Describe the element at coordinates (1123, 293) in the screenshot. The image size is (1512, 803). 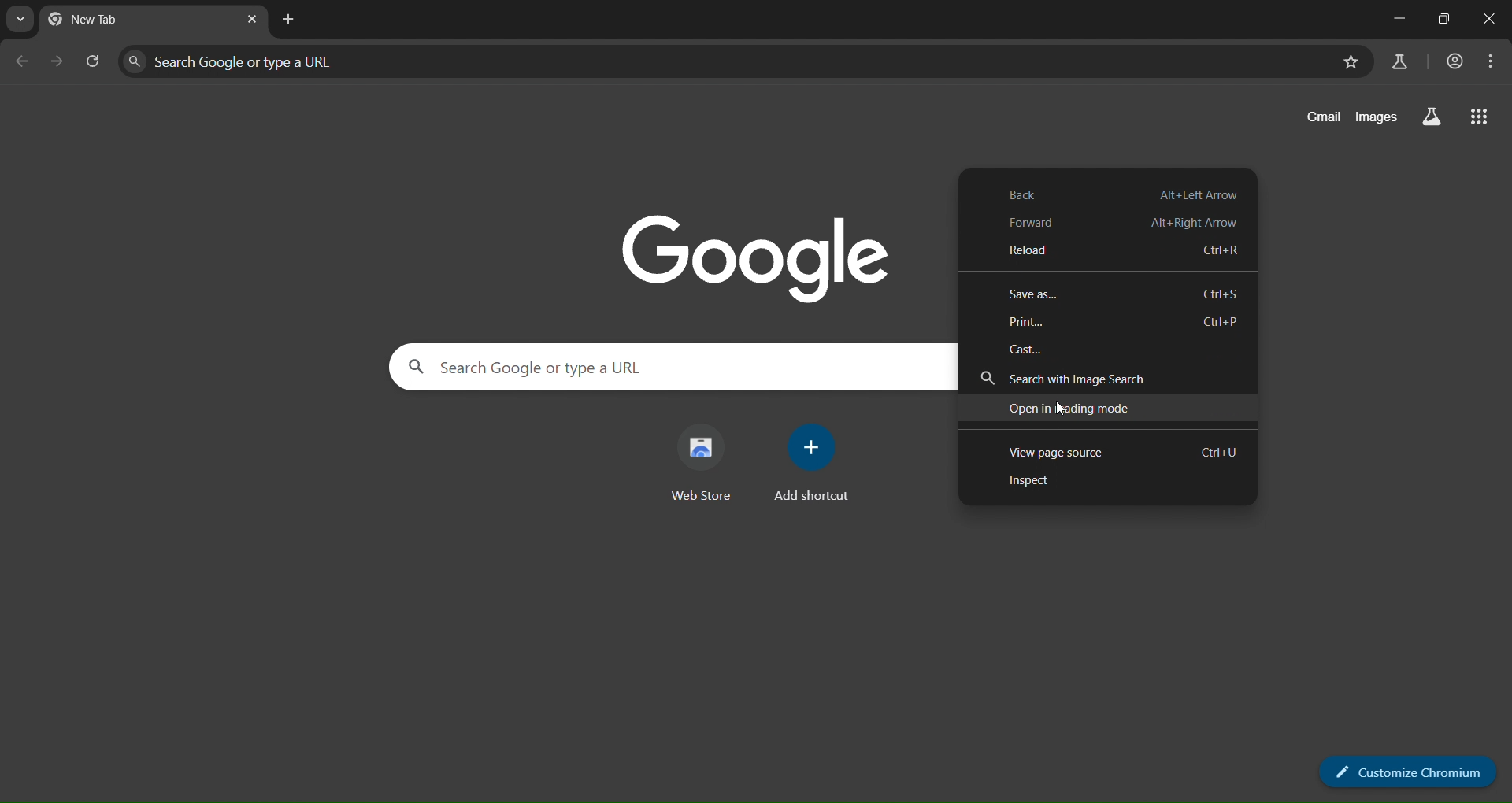
I see `save as` at that location.